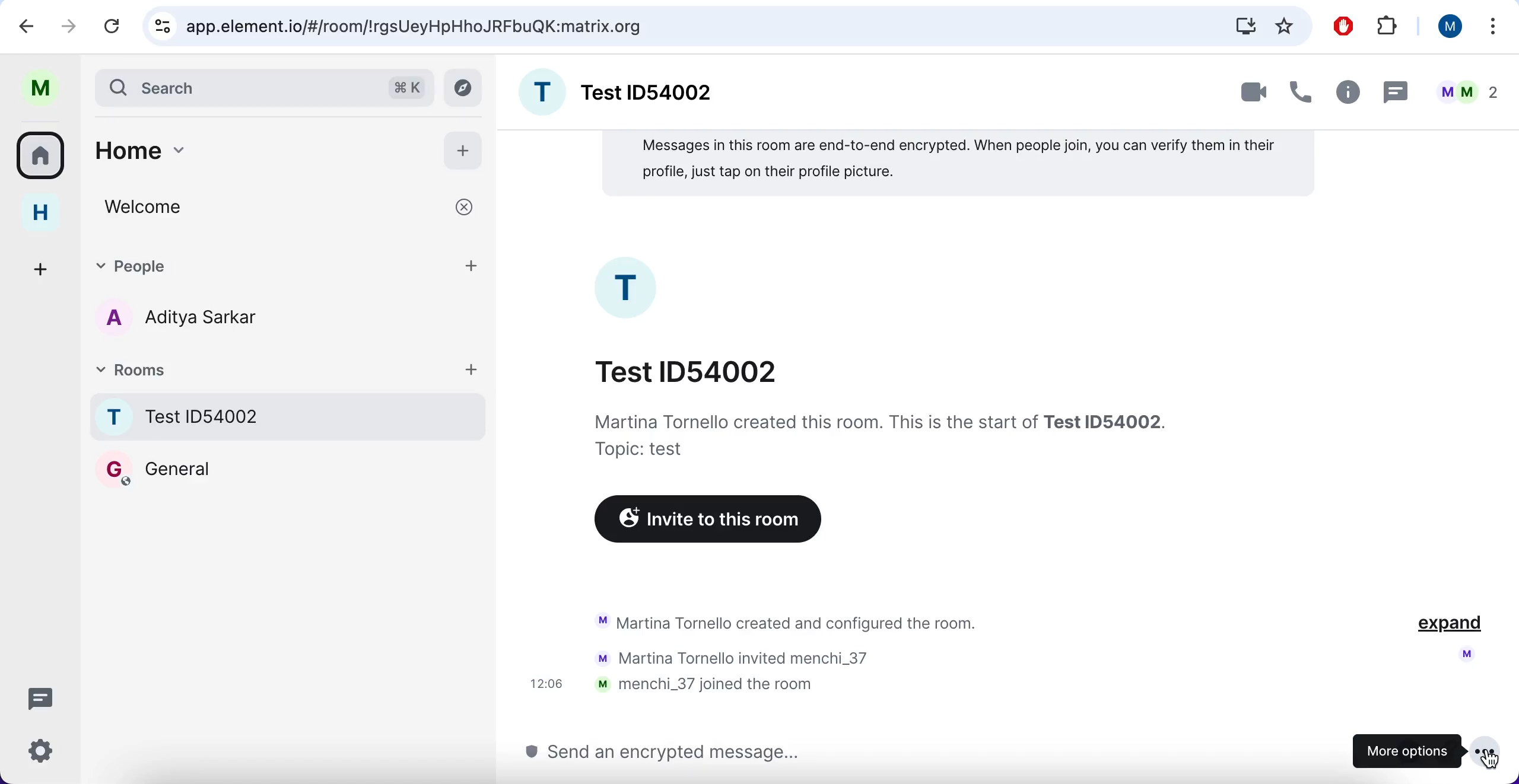 Image resolution: width=1519 pixels, height=784 pixels. Describe the element at coordinates (160, 26) in the screenshot. I see `controls` at that location.